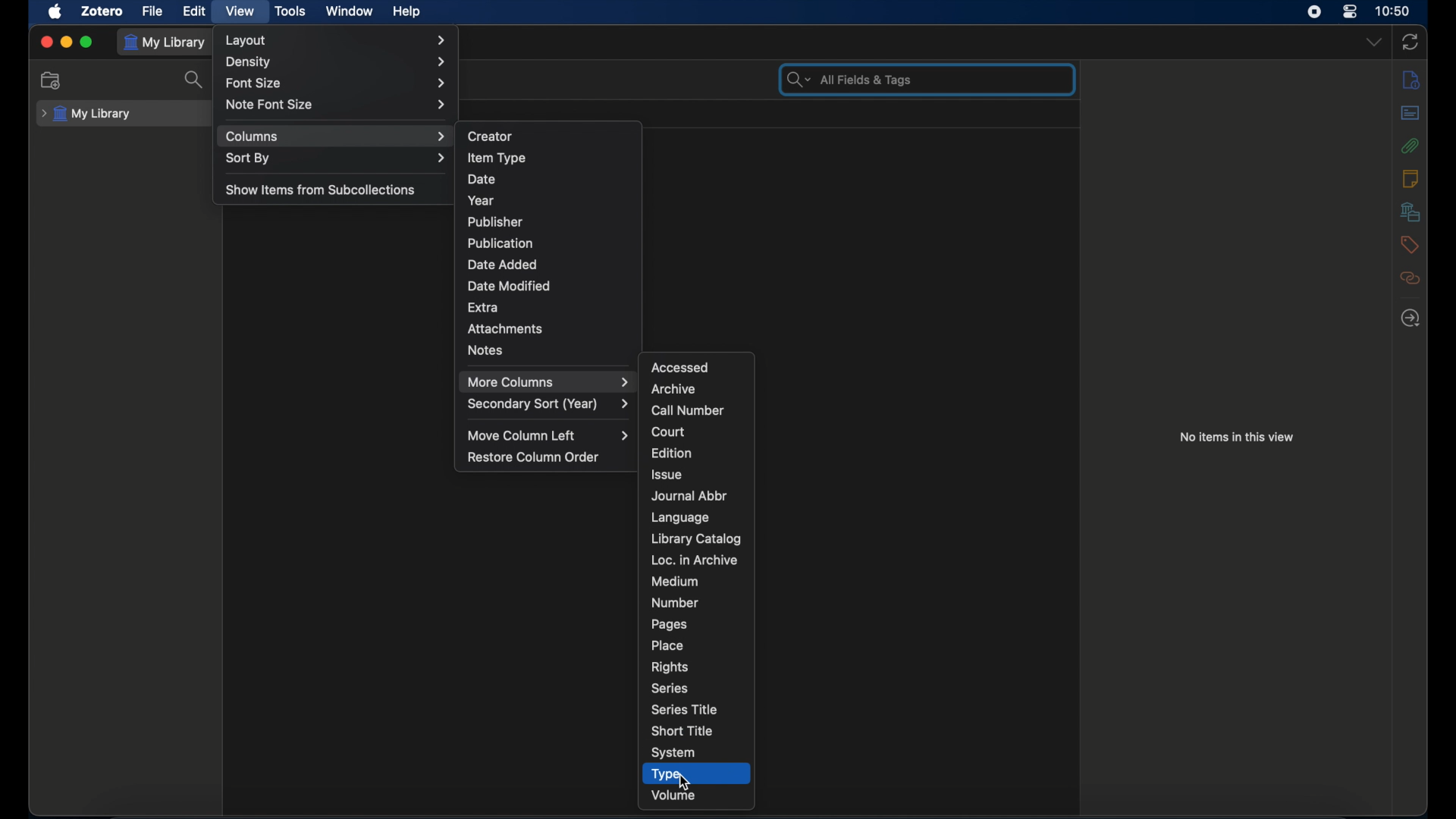 The height and width of the screenshot is (819, 1456). What do you see at coordinates (406, 12) in the screenshot?
I see `help` at bounding box center [406, 12].